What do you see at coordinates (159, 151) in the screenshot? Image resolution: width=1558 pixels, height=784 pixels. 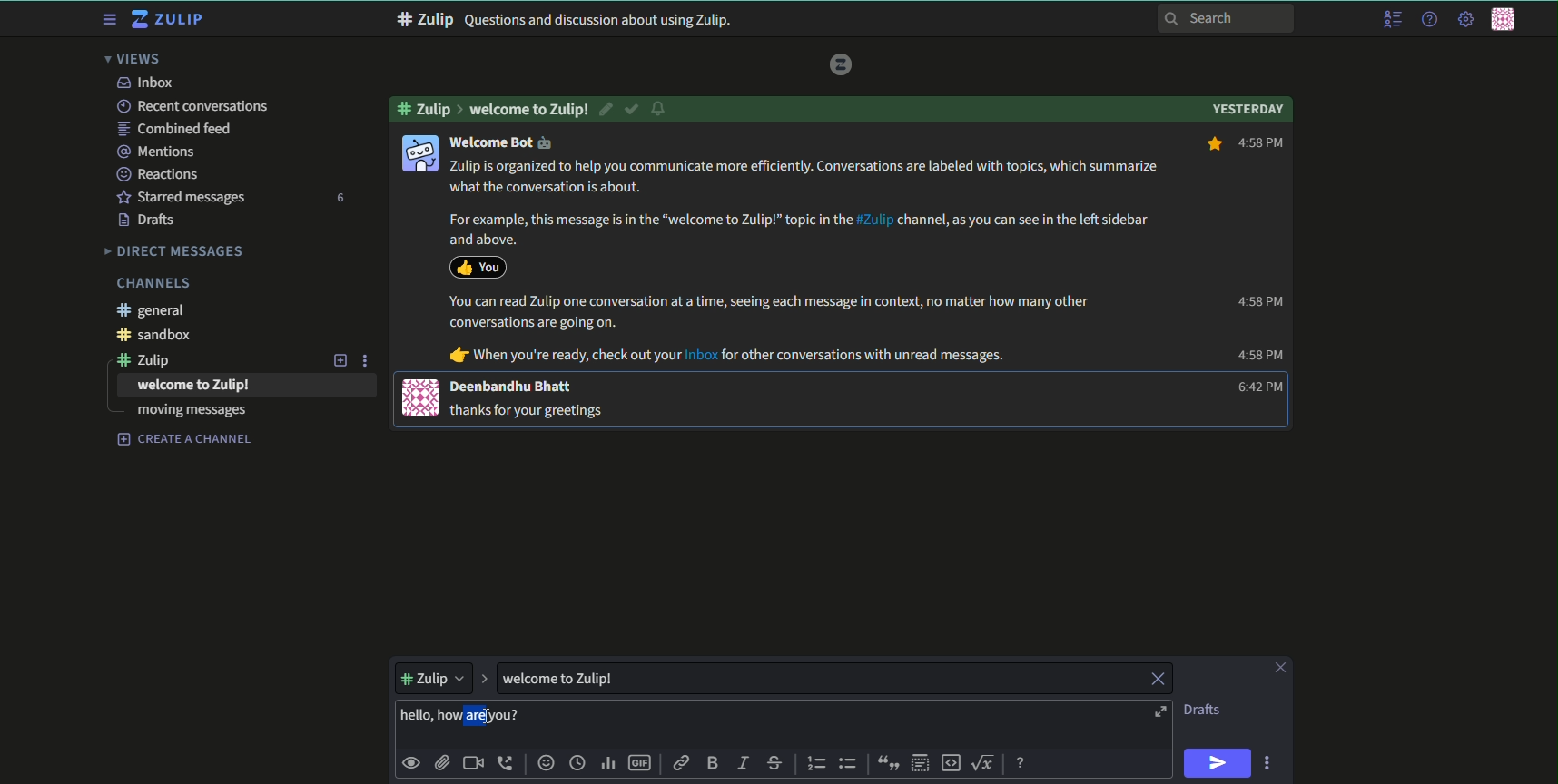 I see `mentions` at bounding box center [159, 151].